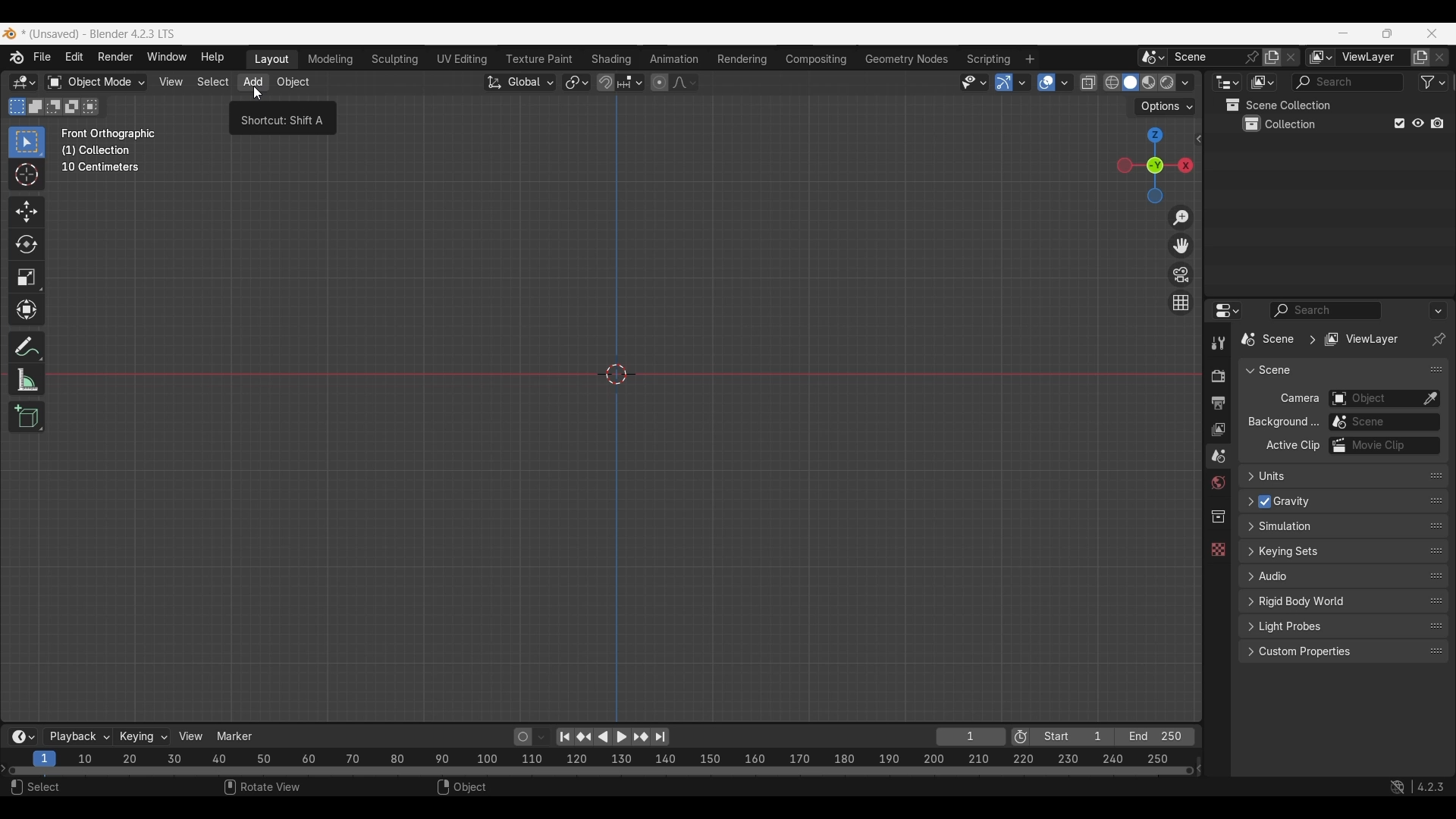 The width and height of the screenshot is (1456, 819). What do you see at coordinates (1218, 550) in the screenshot?
I see `Texture` at bounding box center [1218, 550].